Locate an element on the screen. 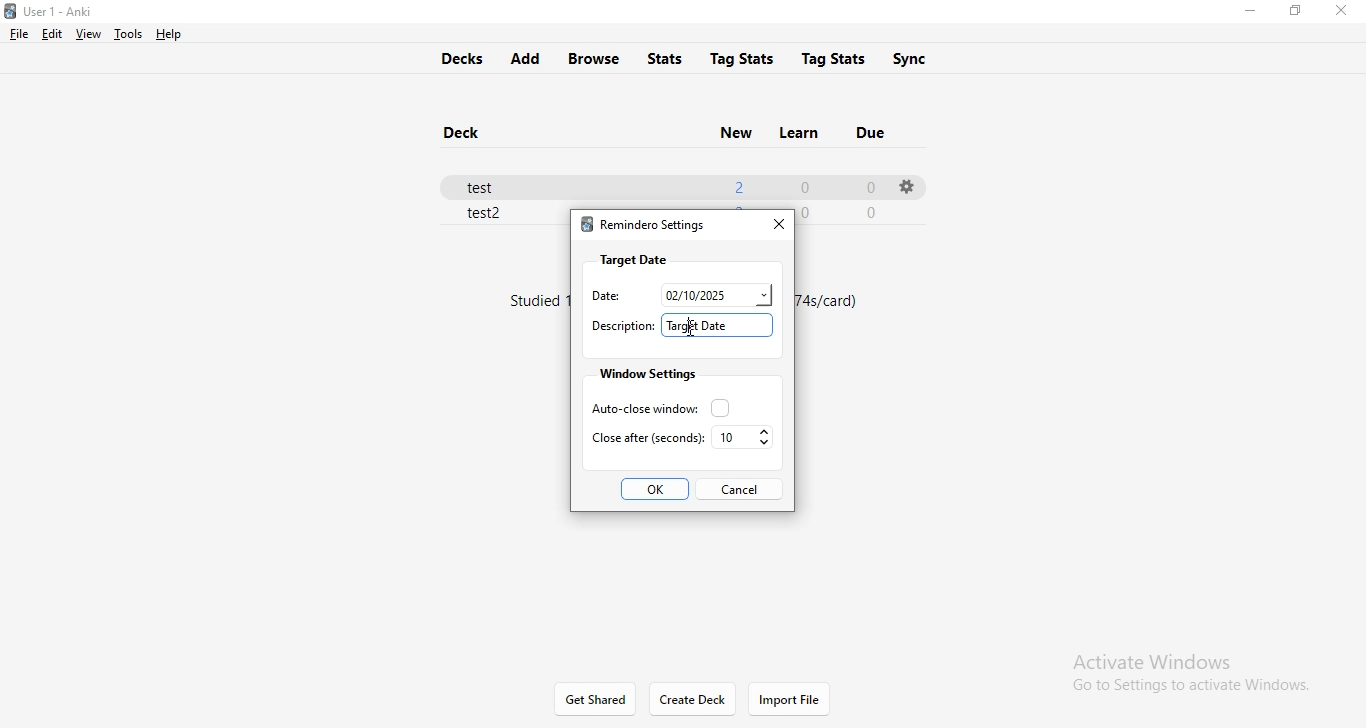 Image resolution: width=1366 pixels, height=728 pixels. settings is located at coordinates (905, 186).